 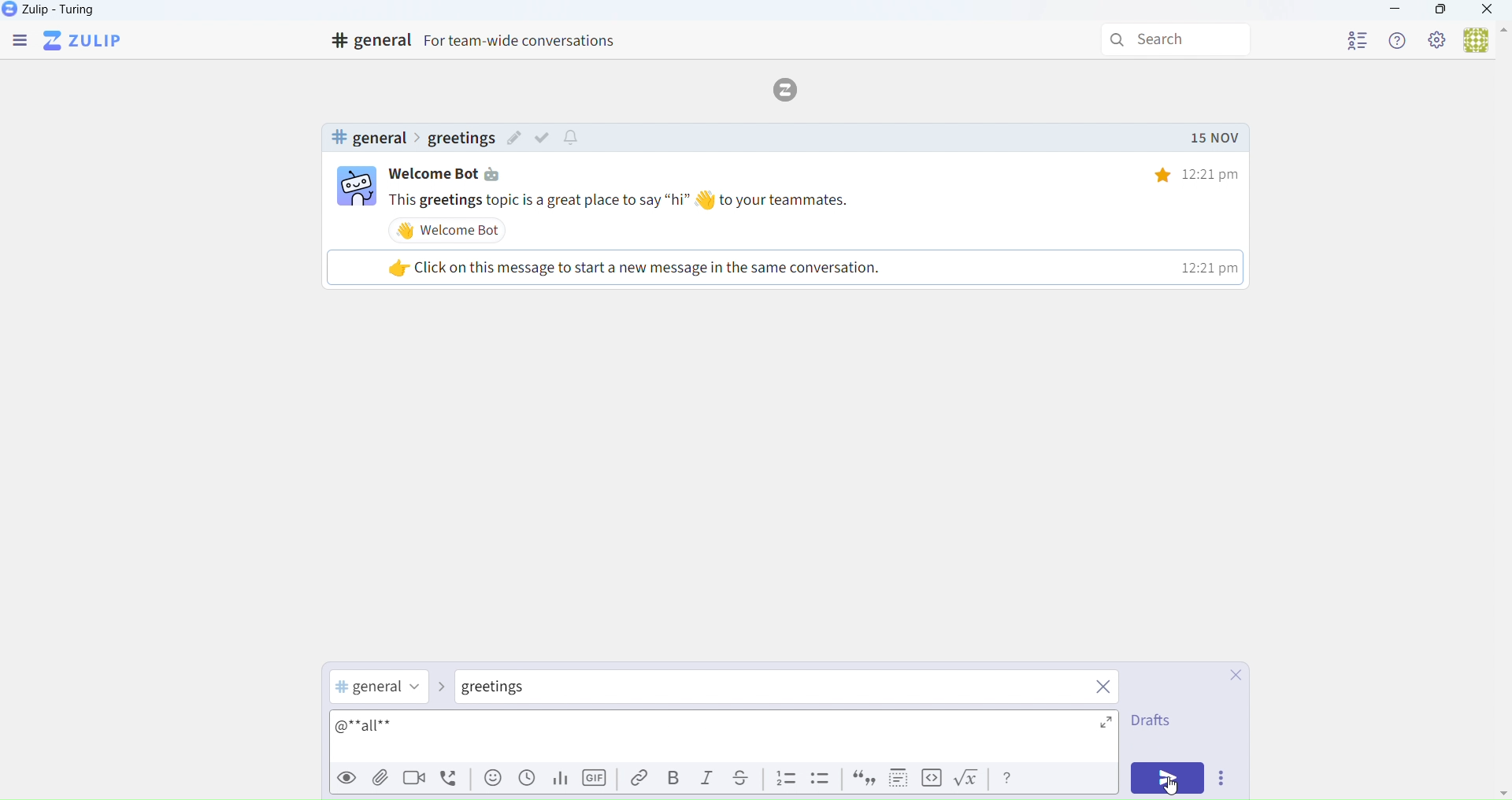 What do you see at coordinates (86, 41) in the screenshot?
I see `Zulip logo` at bounding box center [86, 41].